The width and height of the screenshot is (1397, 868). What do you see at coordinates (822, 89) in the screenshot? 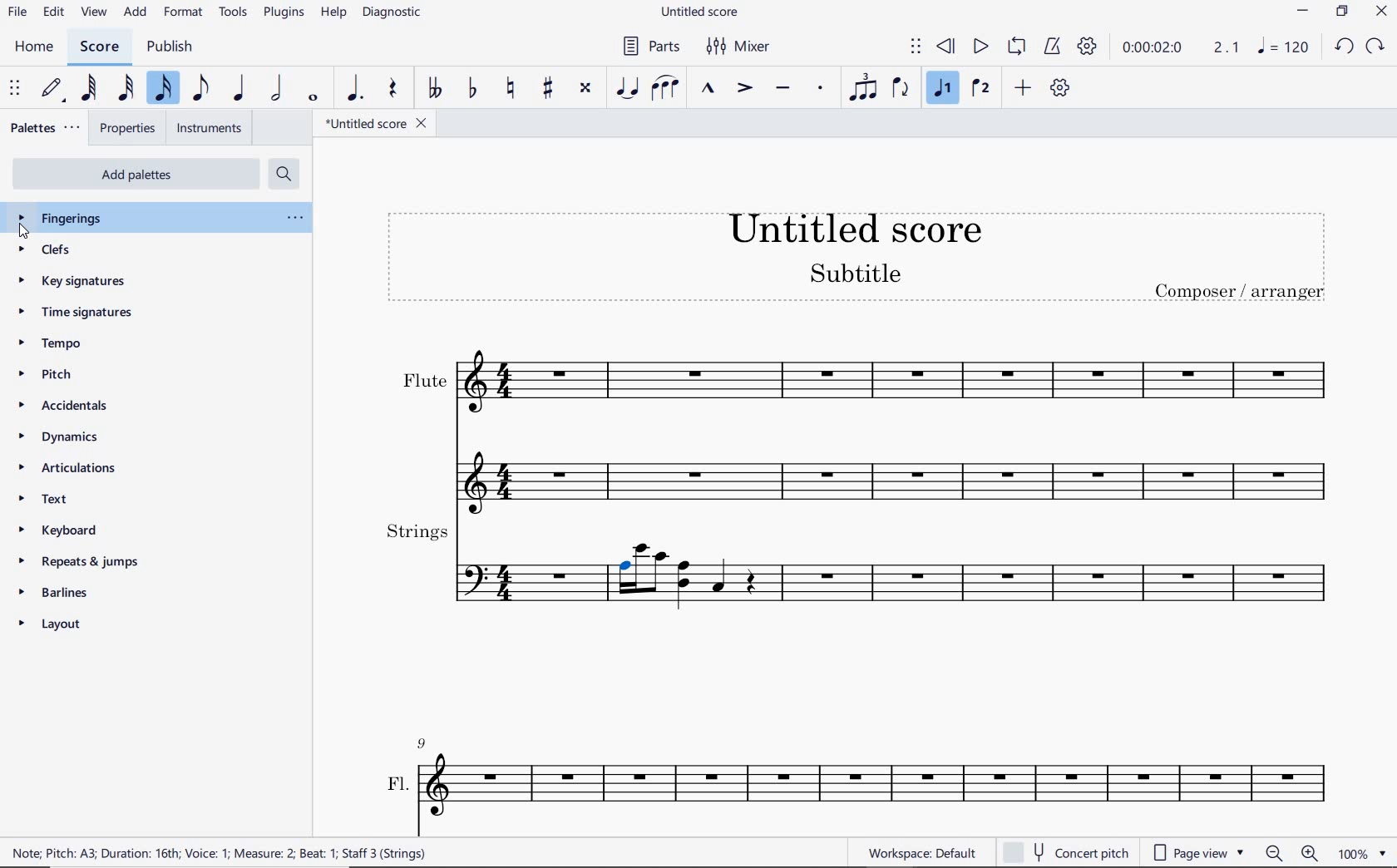
I see `staccato` at bounding box center [822, 89].